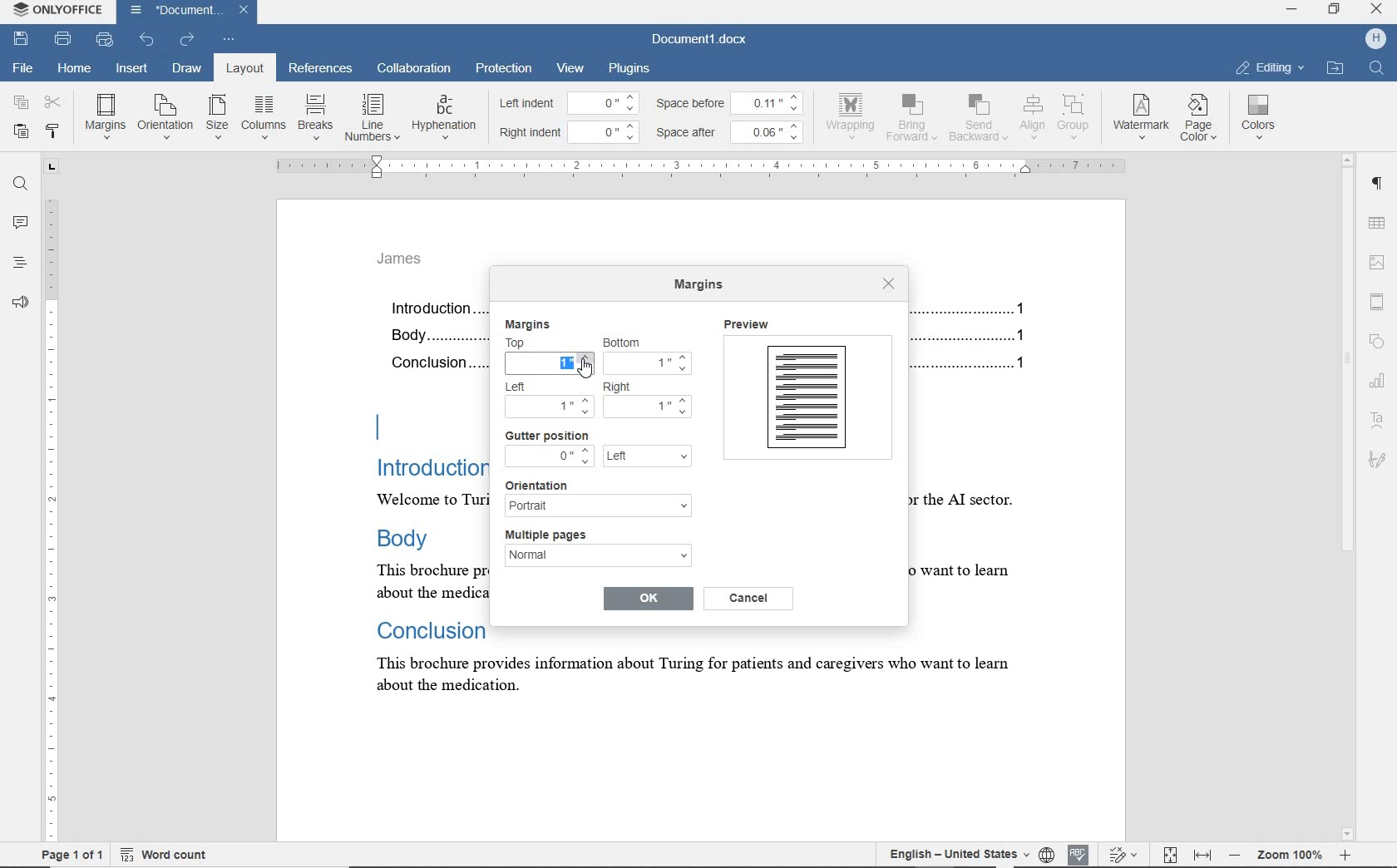  What do you see at coordinates (526, 105) in the screenshot?
I see `left indent` at bounding box center [526, 105].